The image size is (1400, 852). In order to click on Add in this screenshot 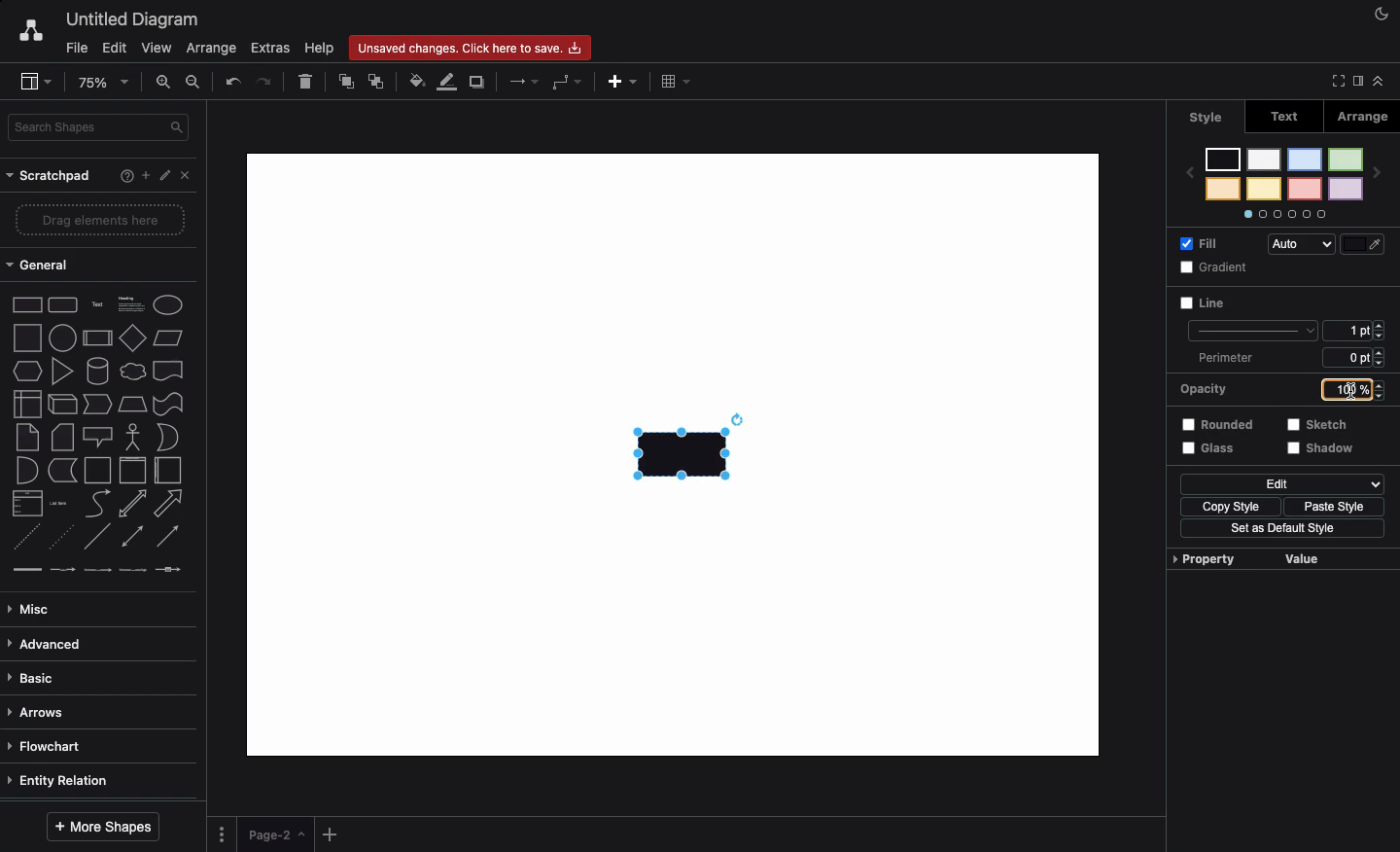, I will do `click(625, 83)`.